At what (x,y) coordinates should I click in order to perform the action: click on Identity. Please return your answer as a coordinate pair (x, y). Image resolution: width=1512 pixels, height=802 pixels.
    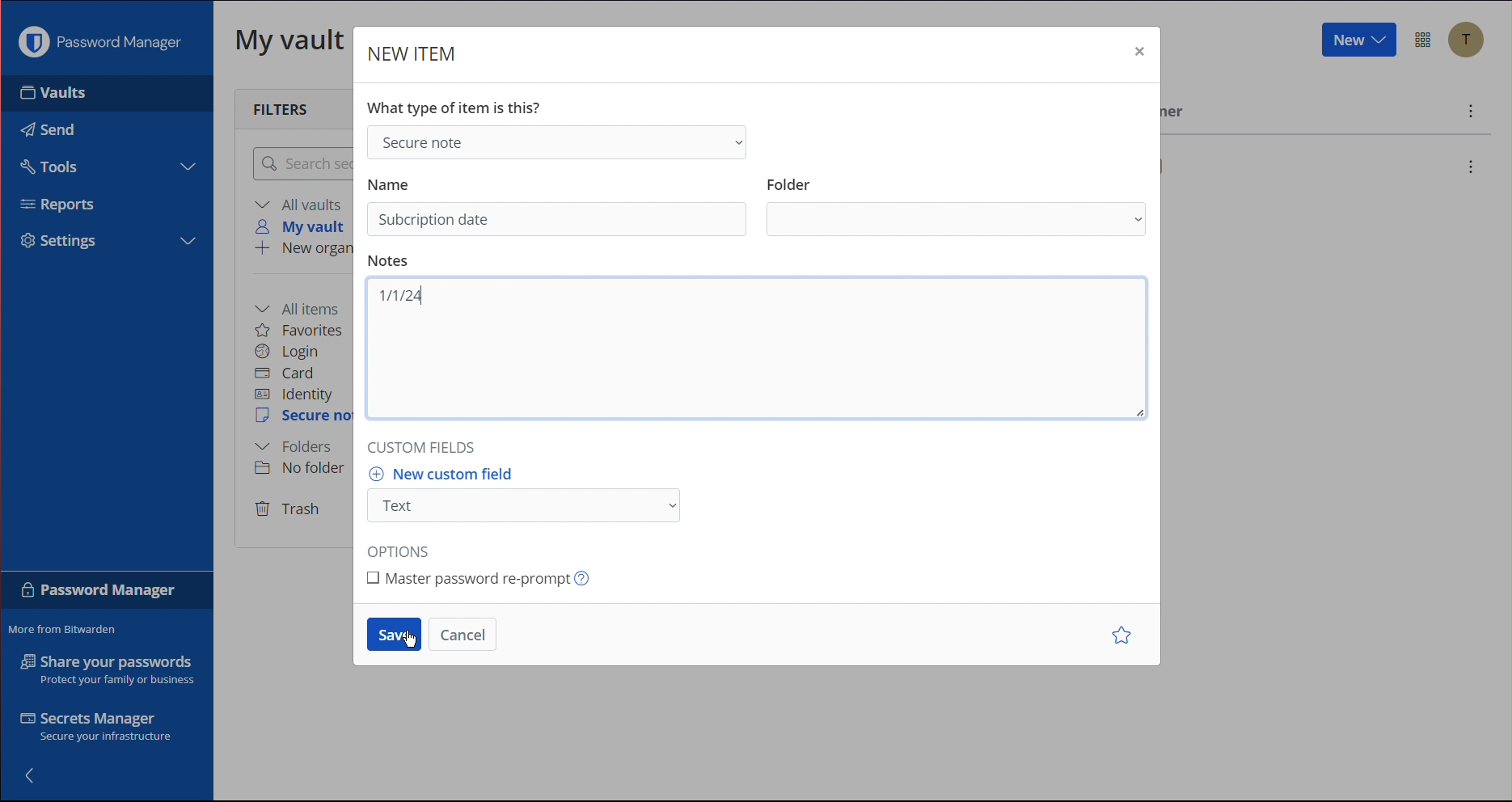
    Looking at the image, I should click on (294, 395).